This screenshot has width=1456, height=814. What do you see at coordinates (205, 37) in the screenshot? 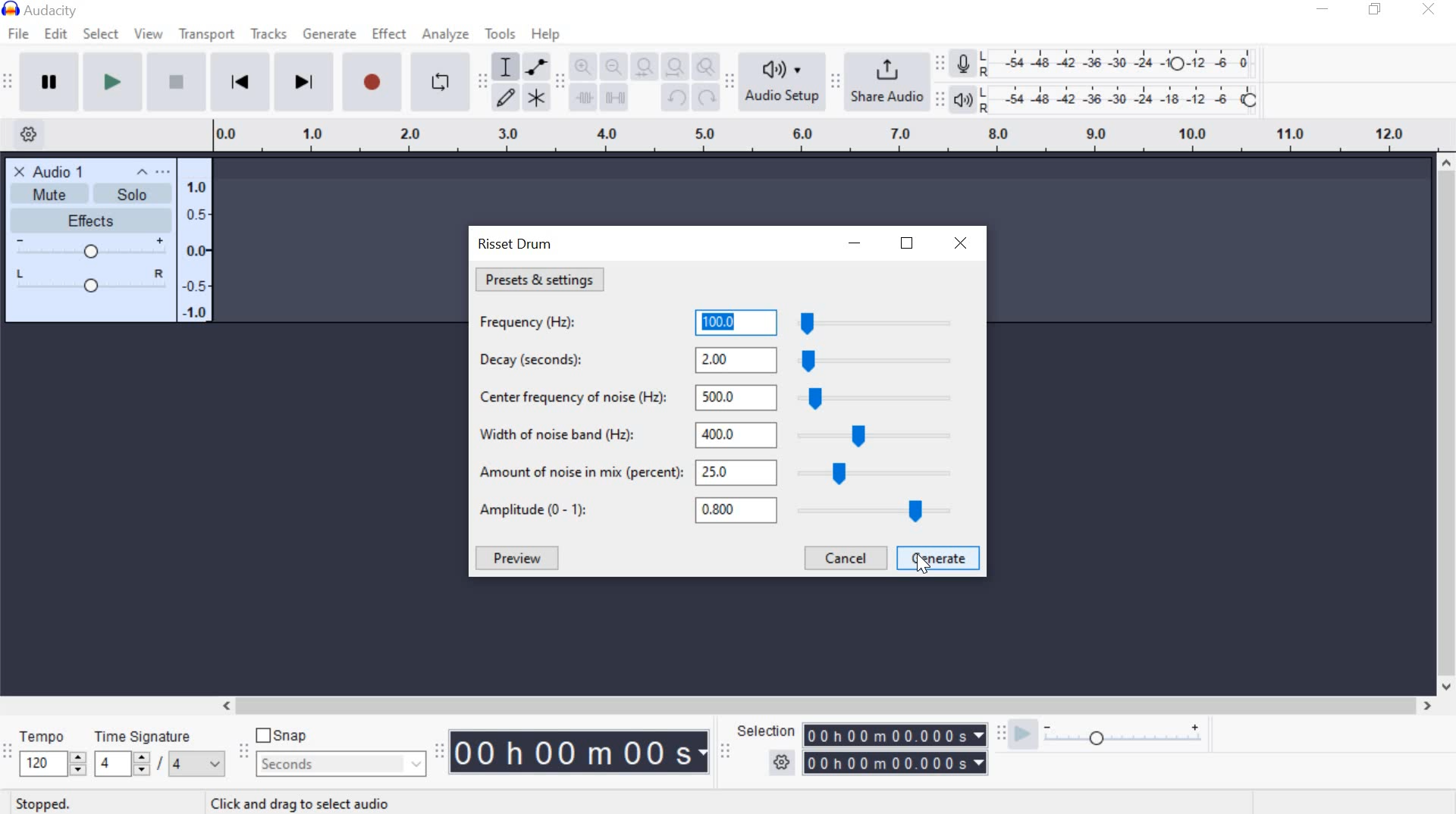
I see `transport` at bounding box center [205, 37].